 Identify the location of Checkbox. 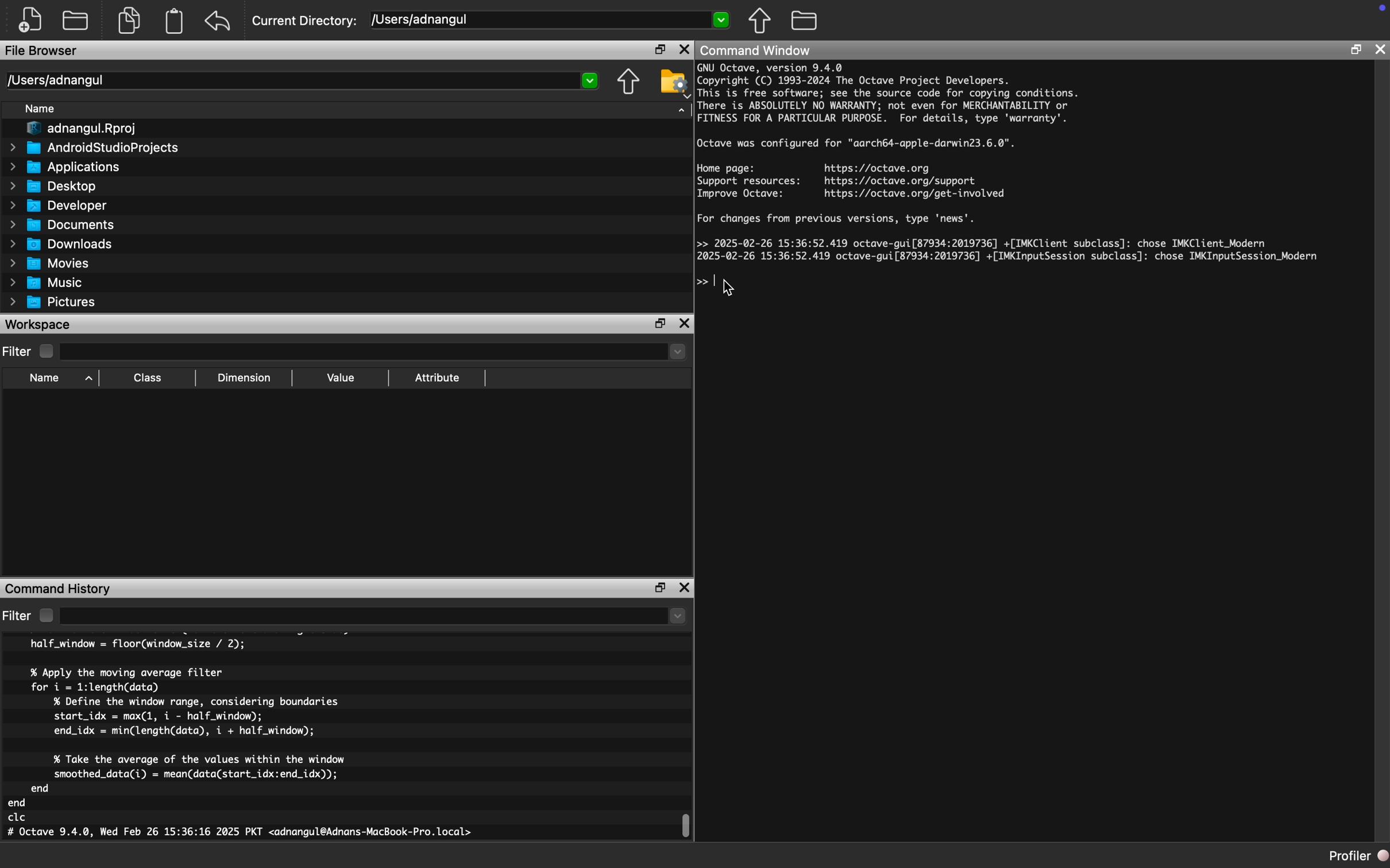
(47, 615).